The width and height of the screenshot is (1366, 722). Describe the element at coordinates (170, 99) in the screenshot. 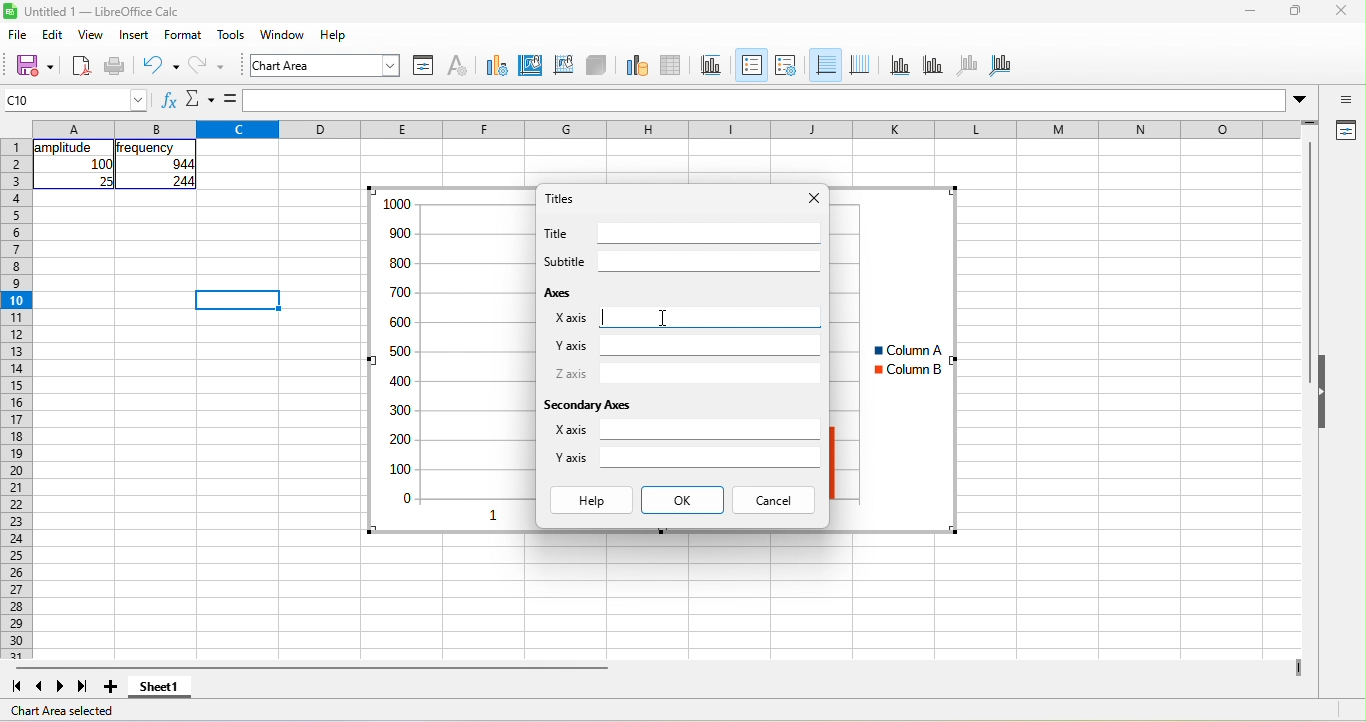

I see `fx` at that location.